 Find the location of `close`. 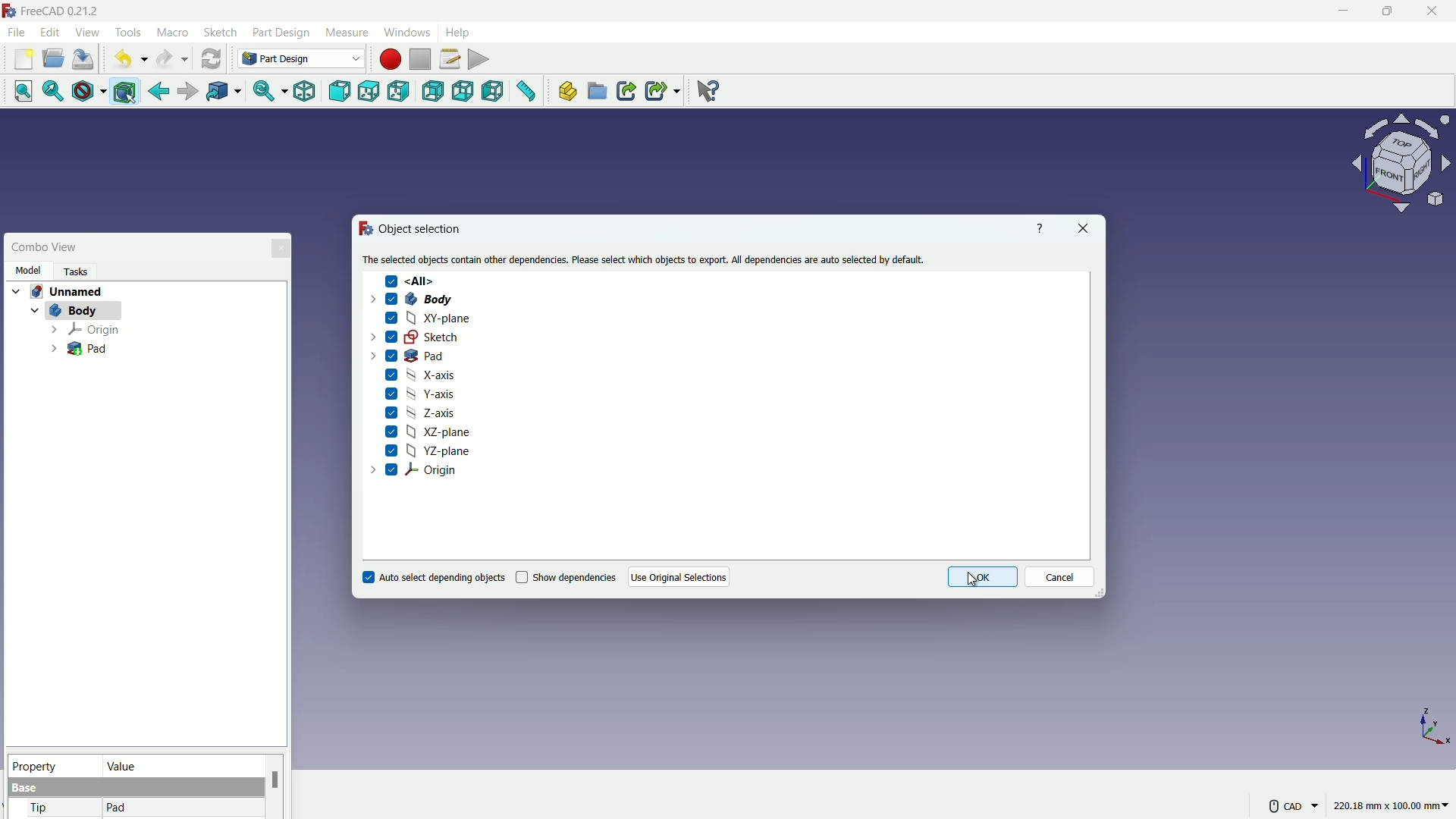

close is located at coordinates (282, 247).